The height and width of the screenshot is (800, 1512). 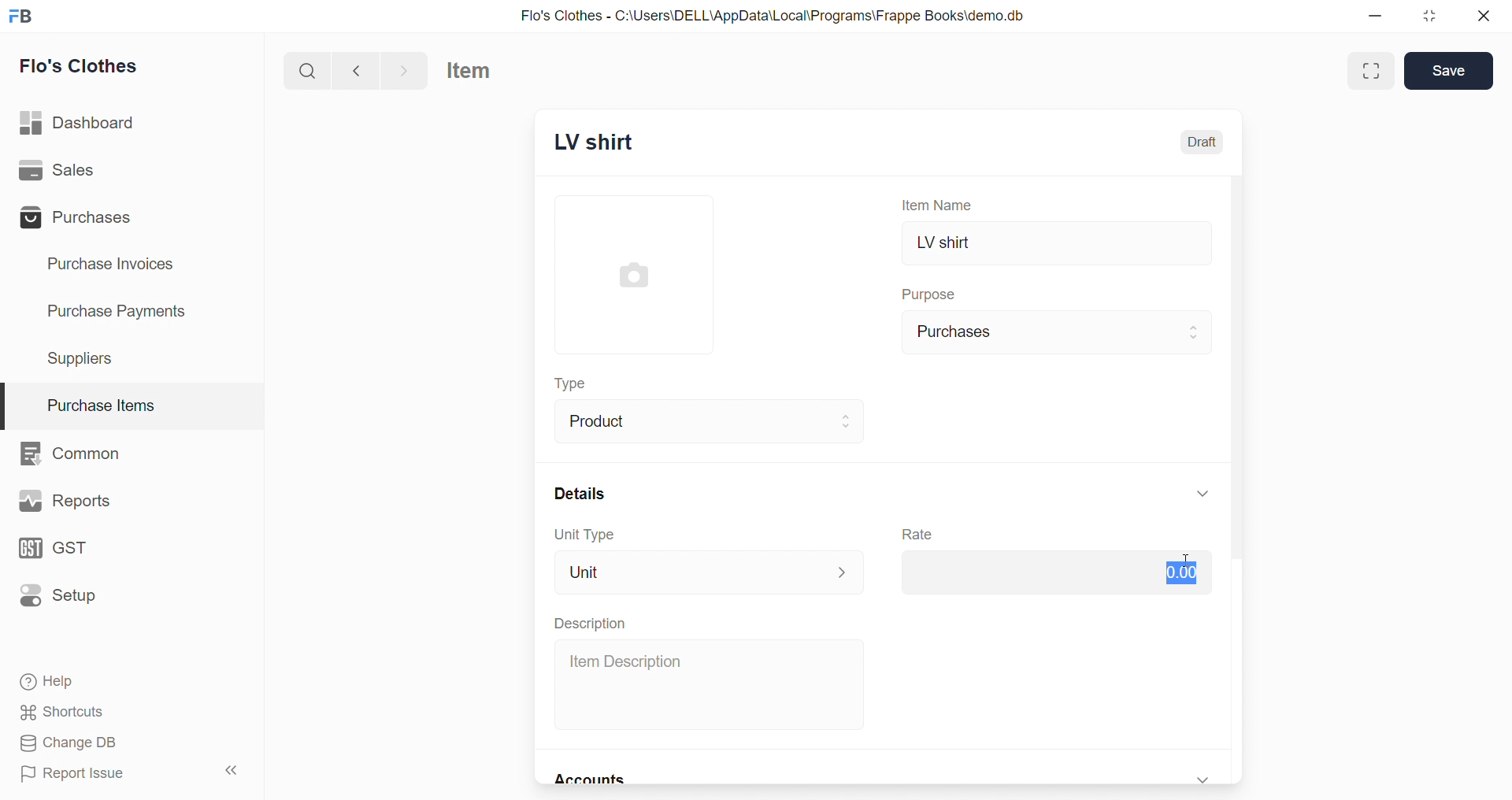 I want to click on Unit Type, so click(x=583, y=535).